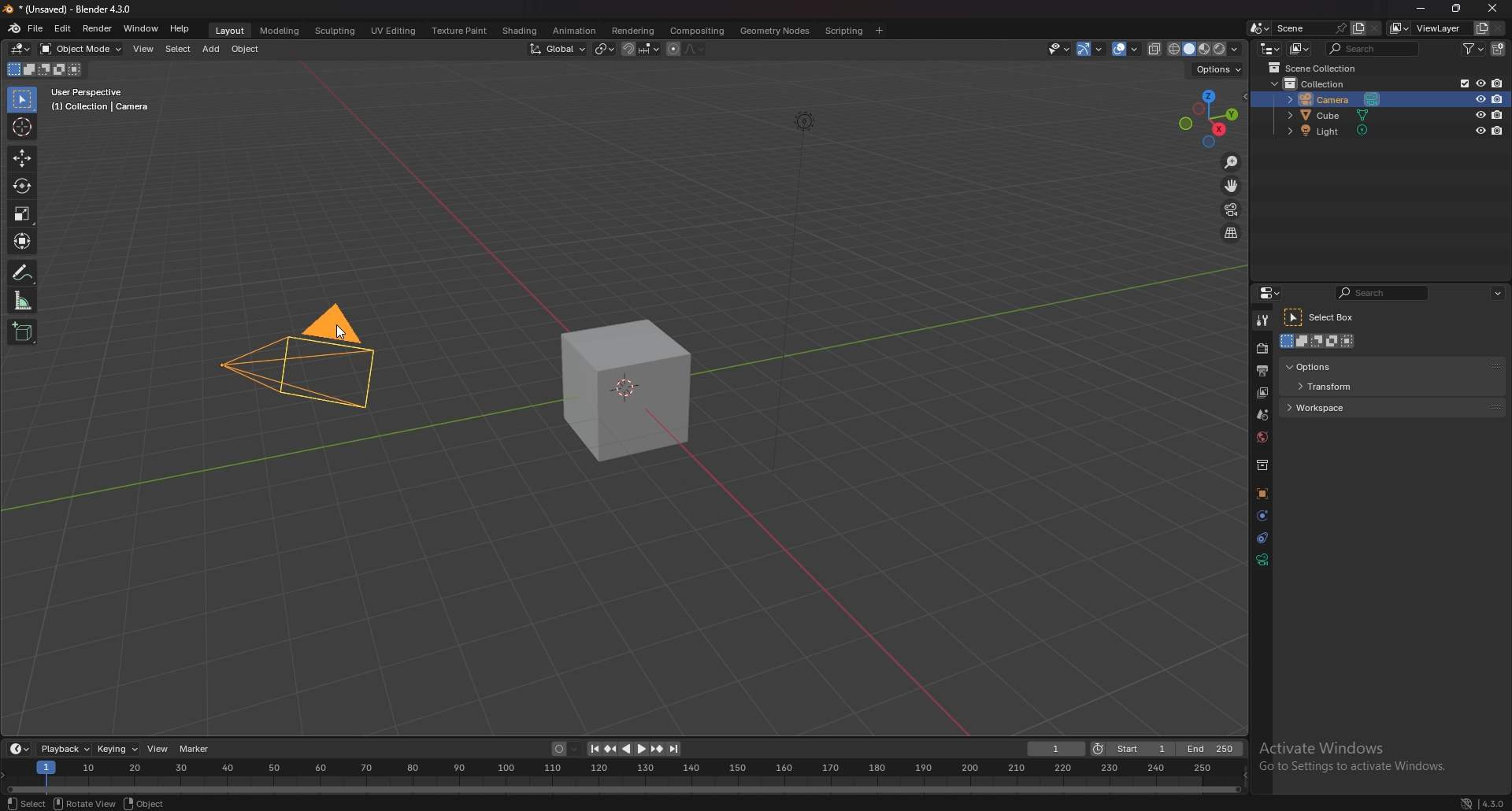  What do you see at coordinates (1338, 98) in the screenshot?
I see `camera` at bounding box center [1338, 98].